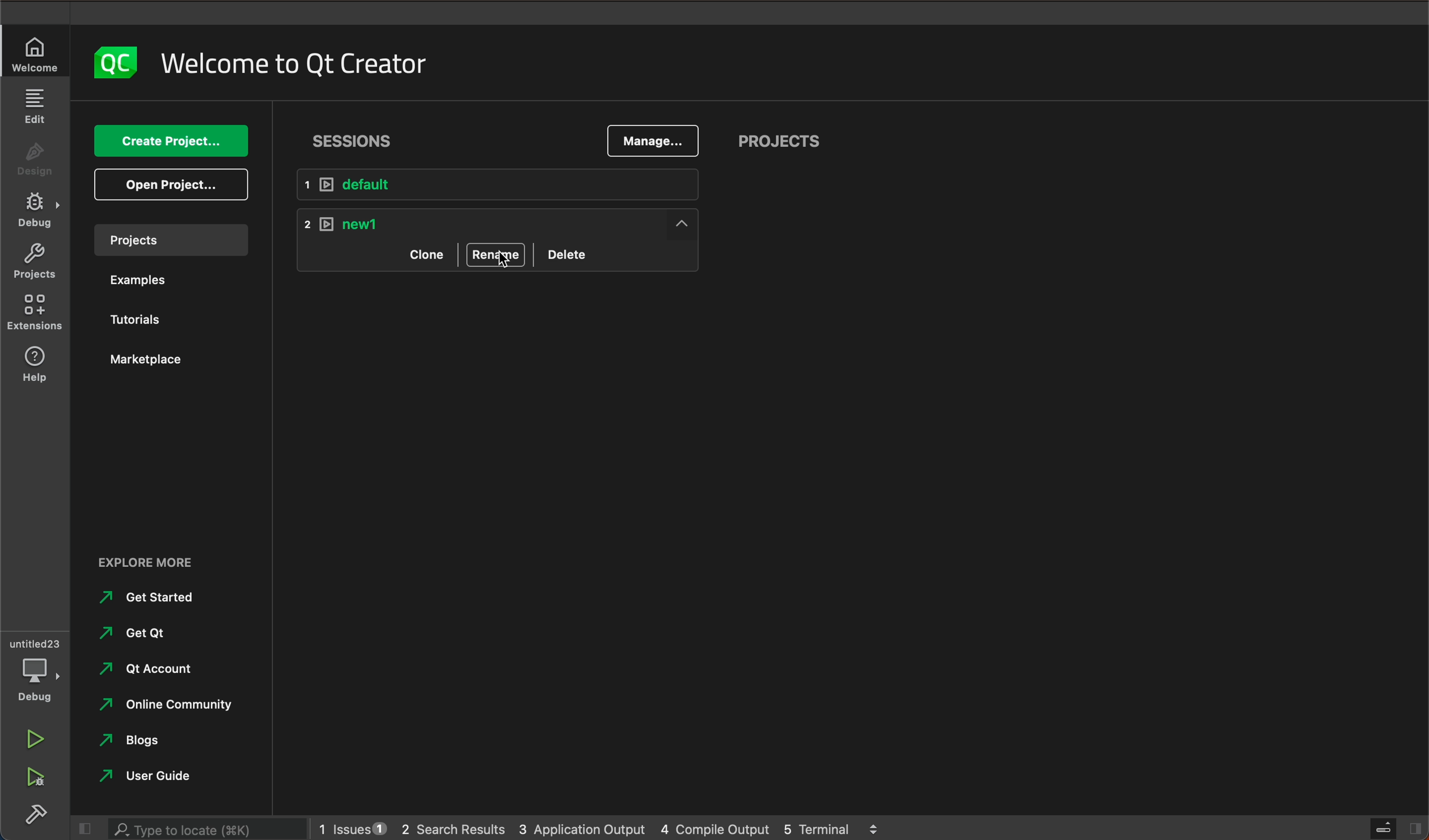 The width and height of the screenshot is (1429, 840). I want to click on get started, so click(151, 597).